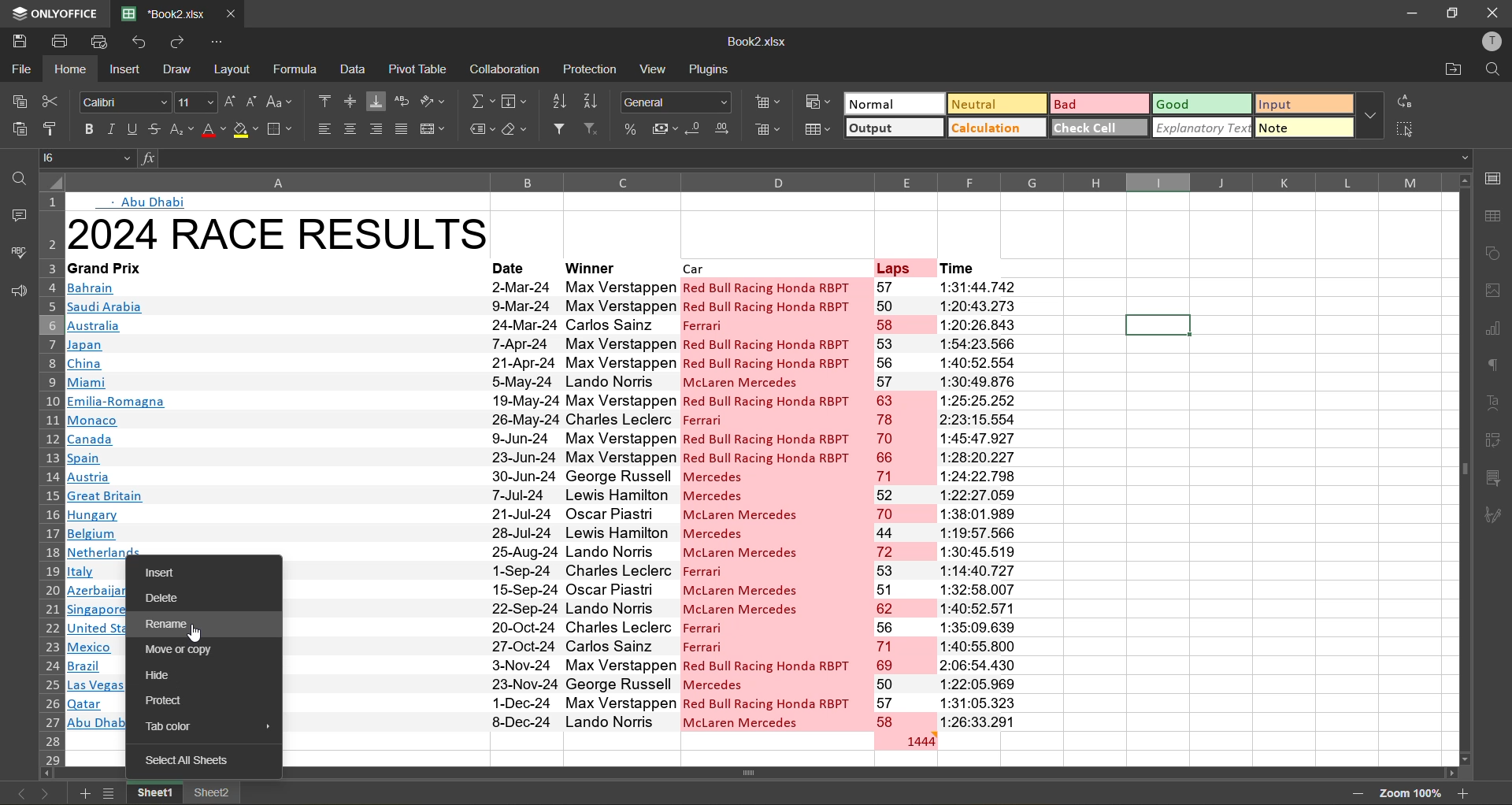 The image size is (1512, 805). What do you see at coordinates (17, 39) in the screenshot?
I see `save` at bounding box center [17, 39].